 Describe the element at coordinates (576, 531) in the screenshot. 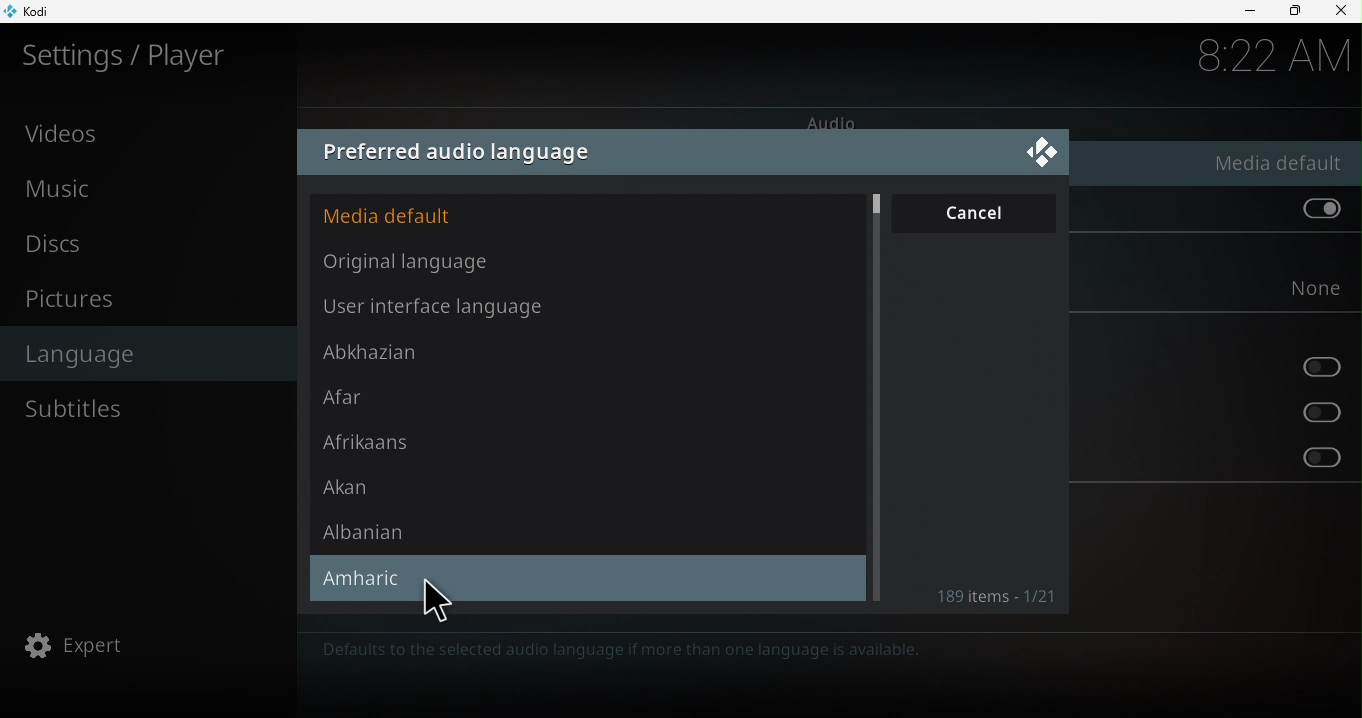

I see `Albanian` at that location.